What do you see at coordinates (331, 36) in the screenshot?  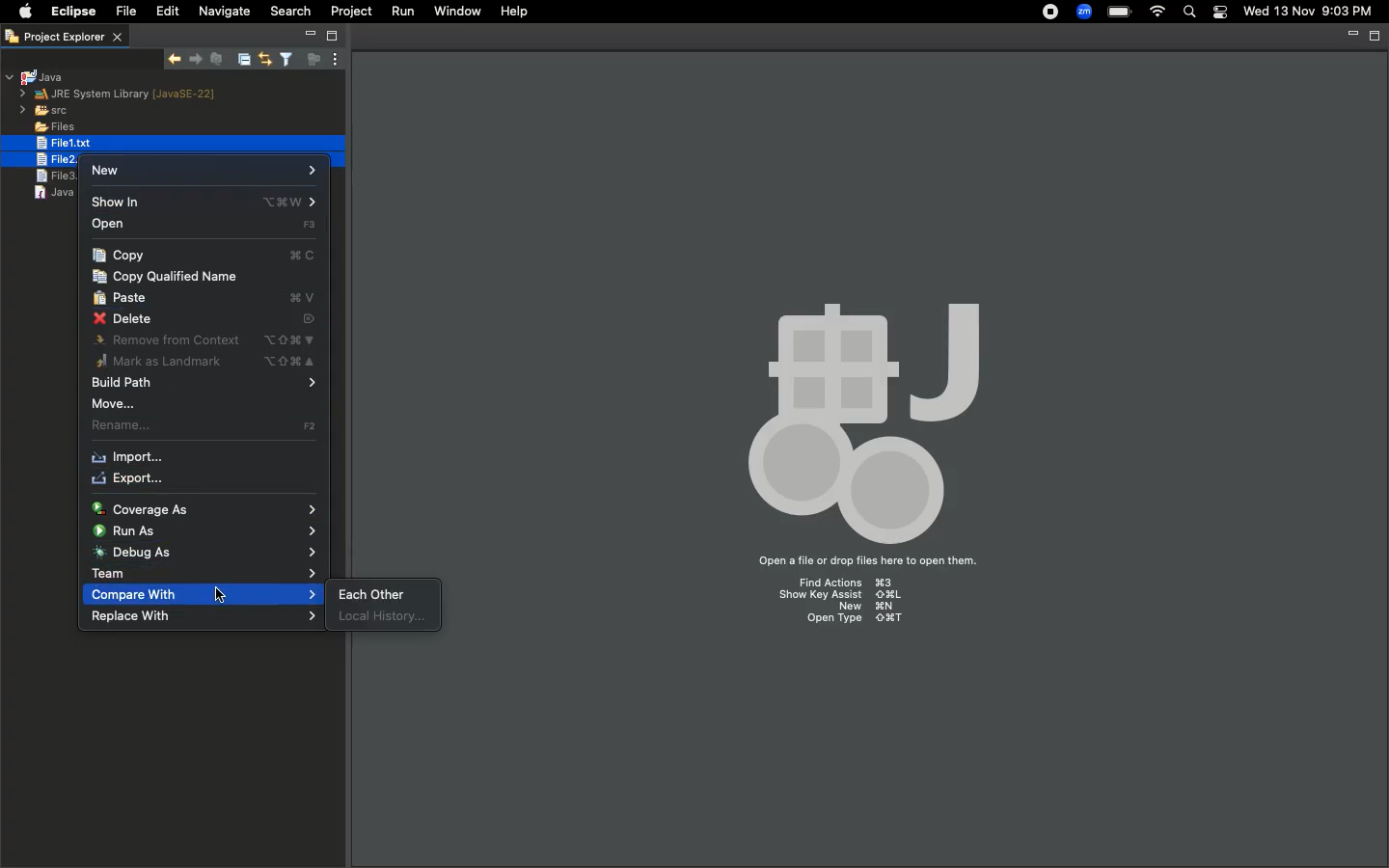 I see `Maximize` at bounding box center [331, 36].